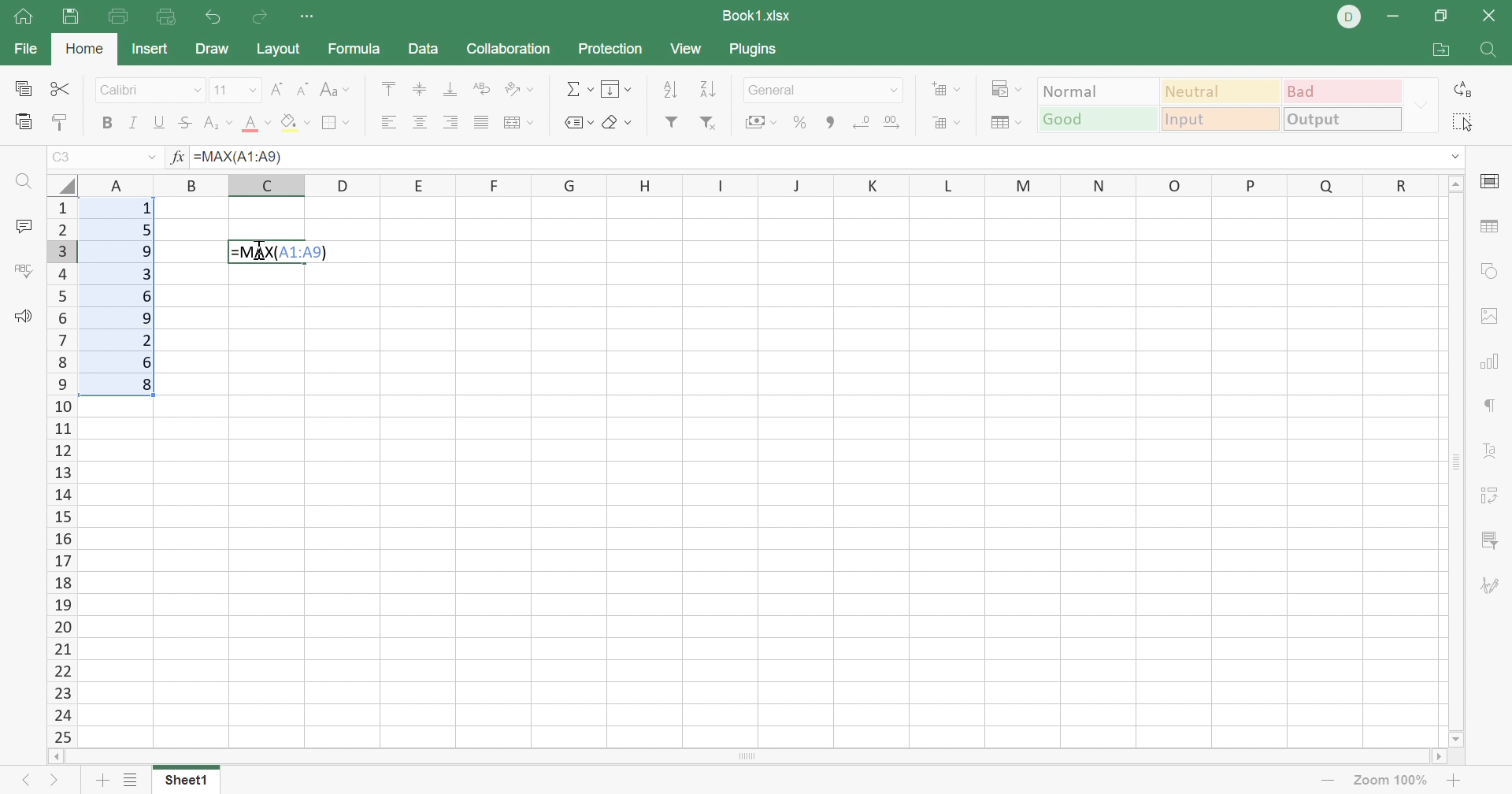 This screenshot has height=794, width=1512. What do you see at coordinates (102, 782) in the screenshot?
I see `Add sheet` at bounding box center [102, 782].